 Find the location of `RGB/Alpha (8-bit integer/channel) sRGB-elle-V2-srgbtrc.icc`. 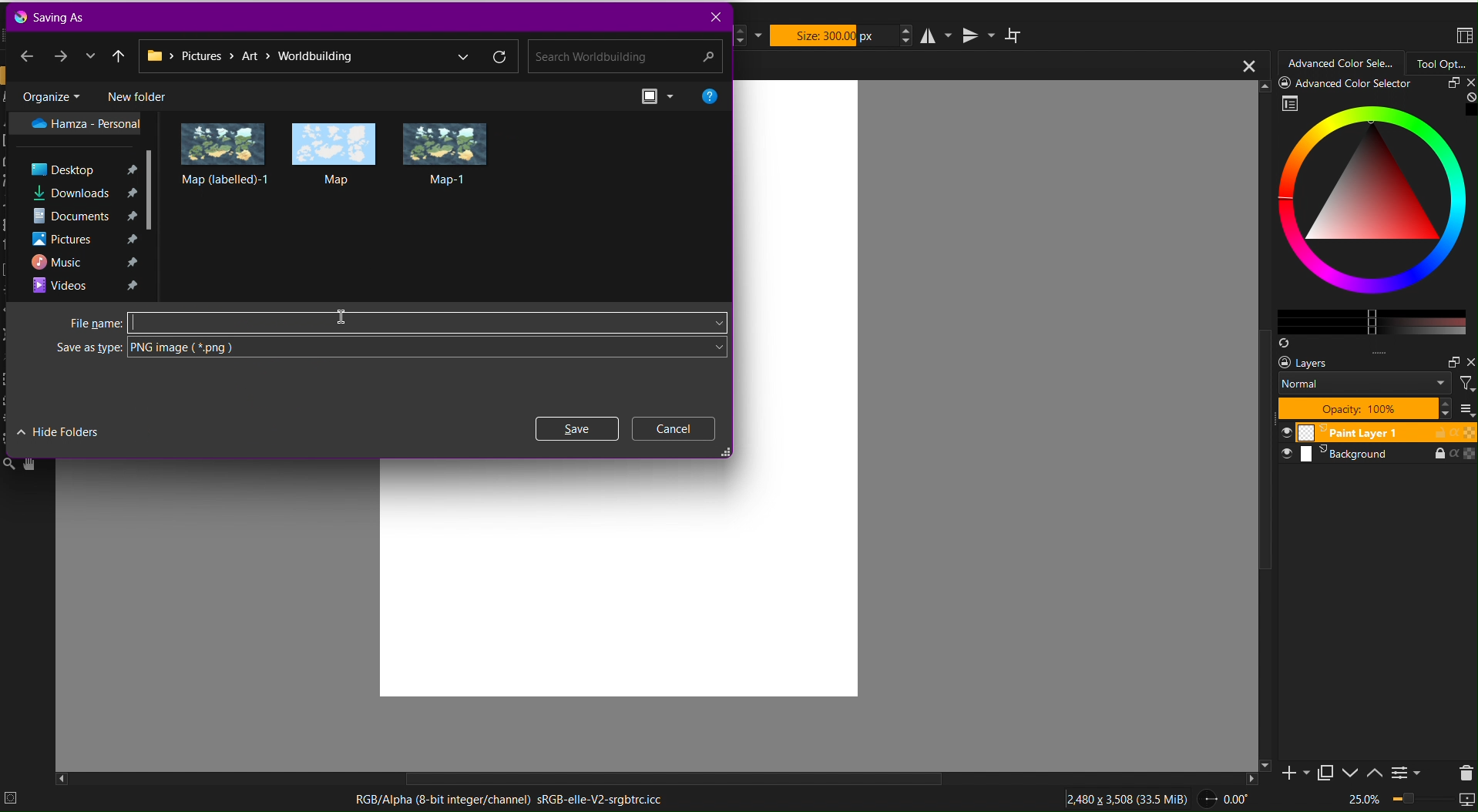

RGB/Alpha (8-bit integer/channel) sRGB-elle-V2-srgbtrc.icc is located at coordinates (508, 799).